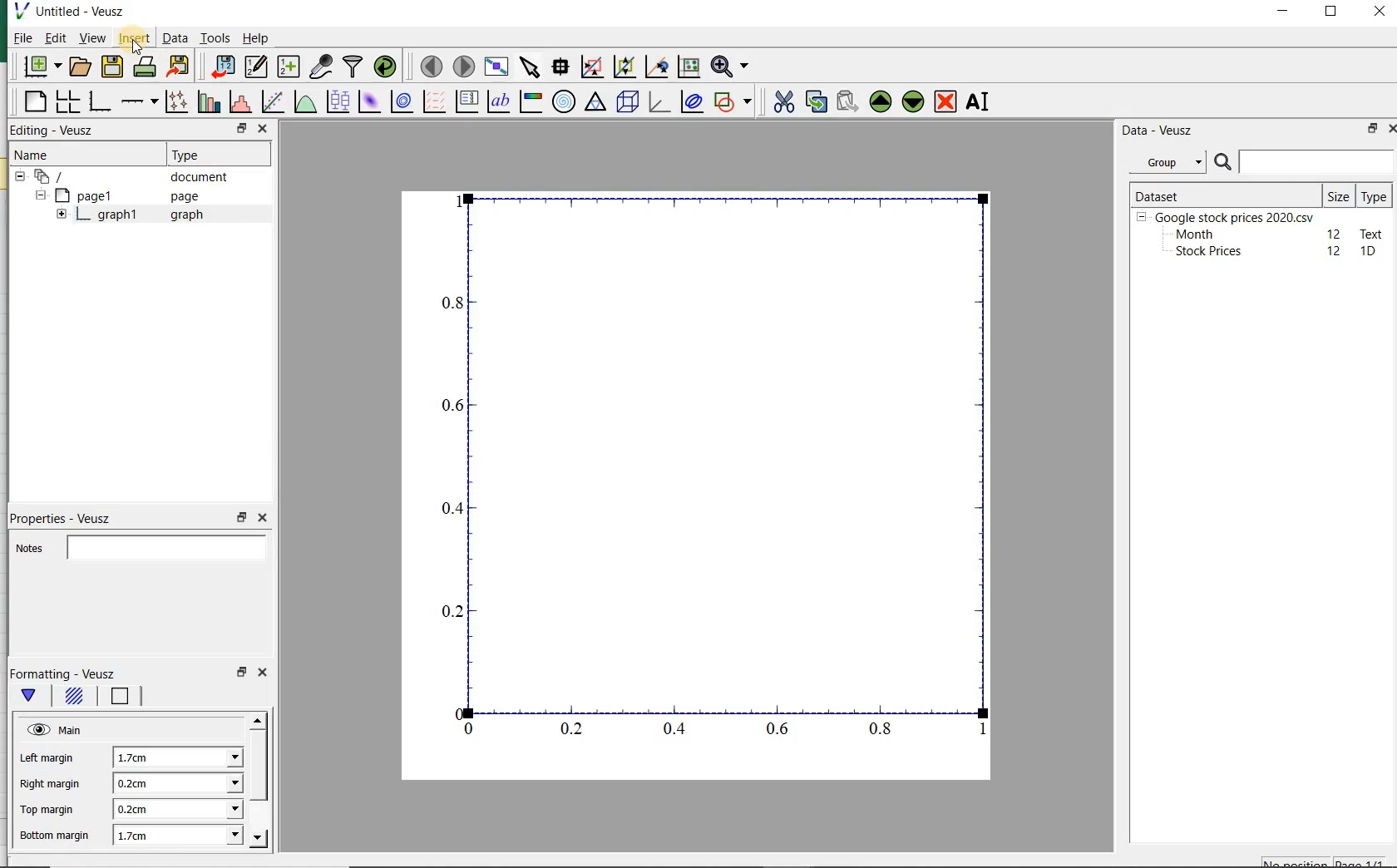 The image size is (1397, 868). I want to click on close, so click(1380, 12).